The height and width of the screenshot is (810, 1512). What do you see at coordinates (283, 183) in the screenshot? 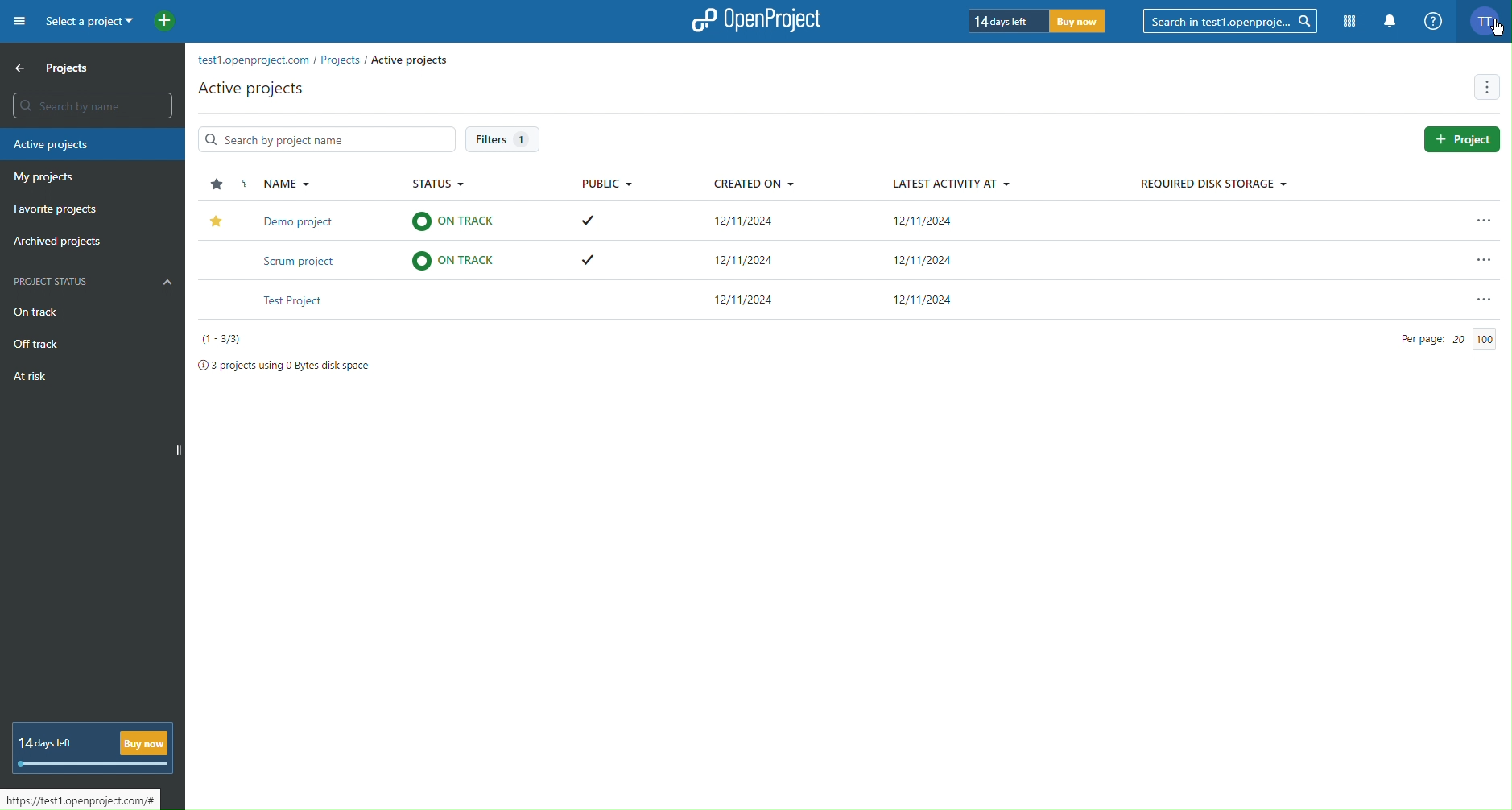
I see `Name` at bounding box center [283, 183].